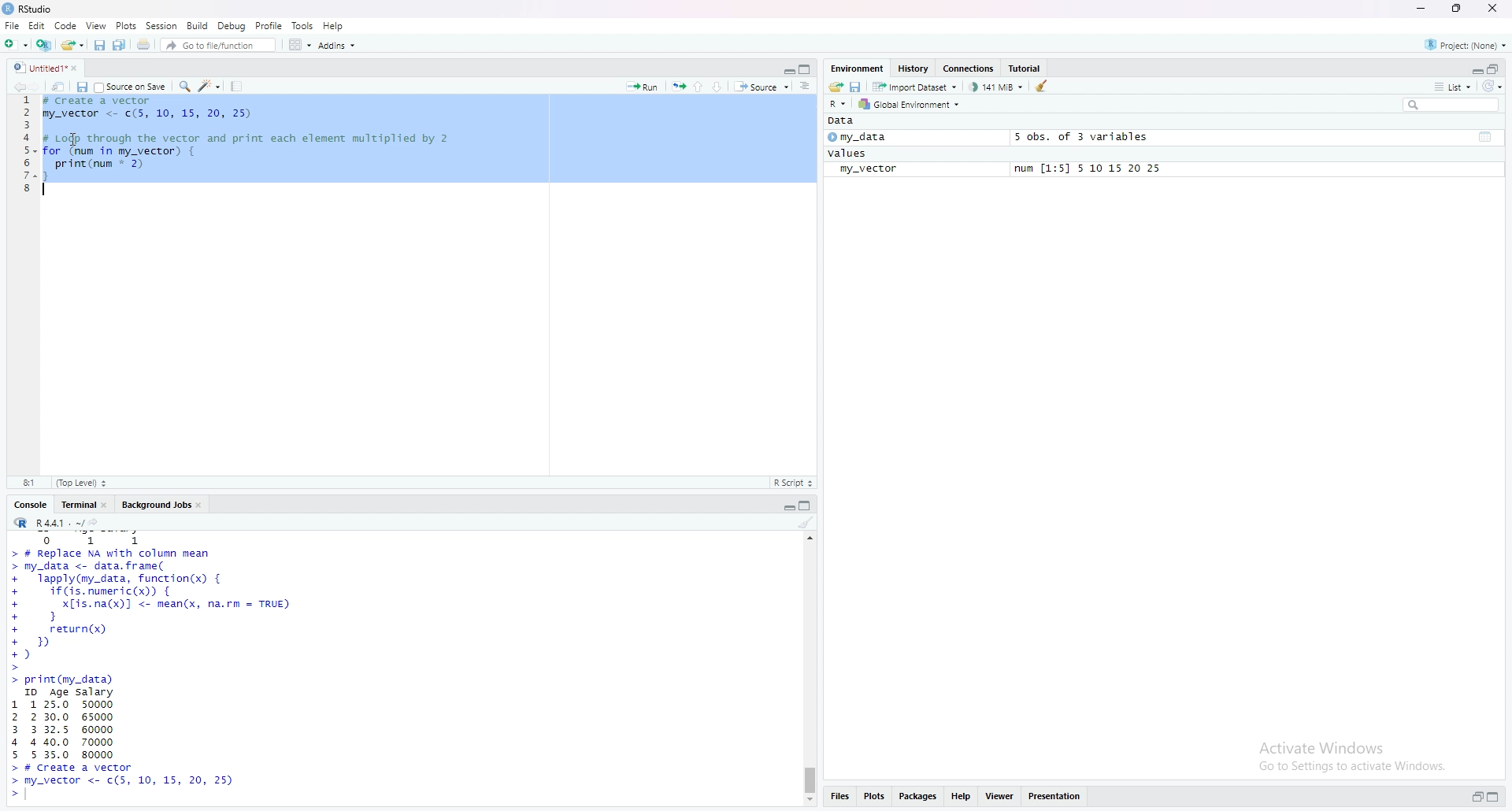 This screenshot has width=1512, height=811. I want to click on help, so click(333, 26).